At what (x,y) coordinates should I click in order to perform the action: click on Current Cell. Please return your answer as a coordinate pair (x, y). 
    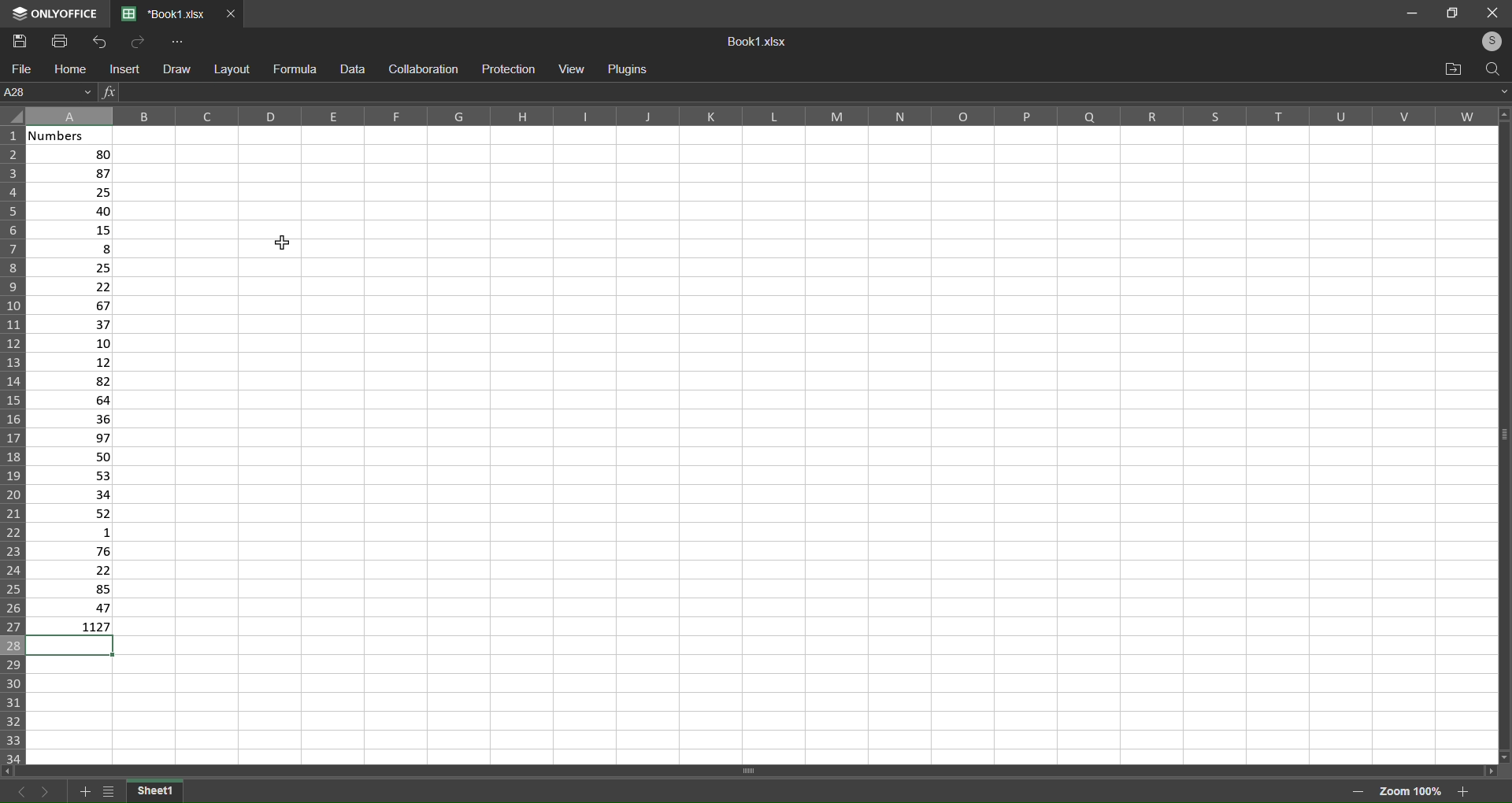
    Looking at the image, I should click on (50, 91).